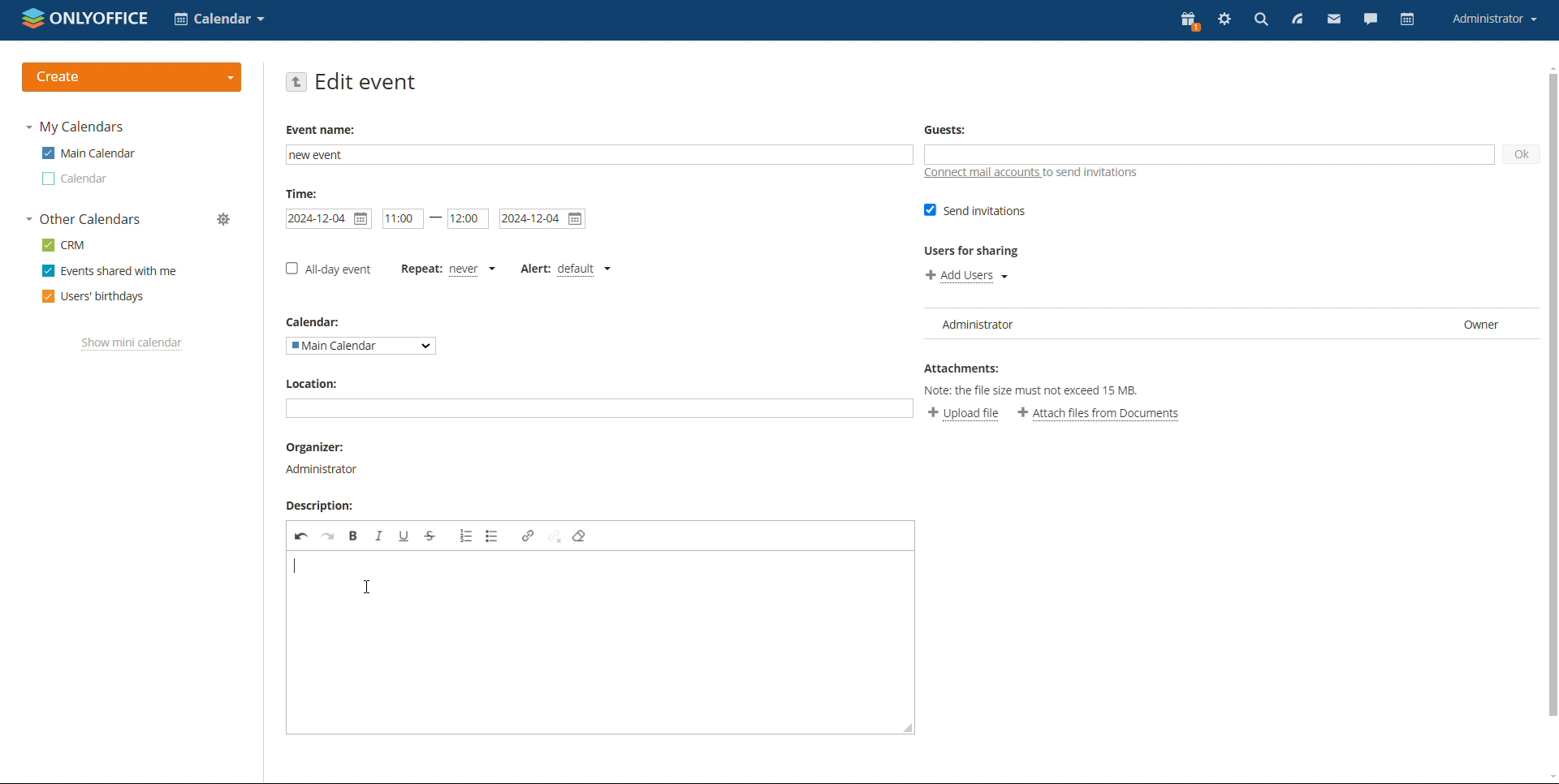 The width and height of the screenshot is (1559, 784). Describe the element at coordinates (963, 414) in the screenshot. I see `upload file` at that location.